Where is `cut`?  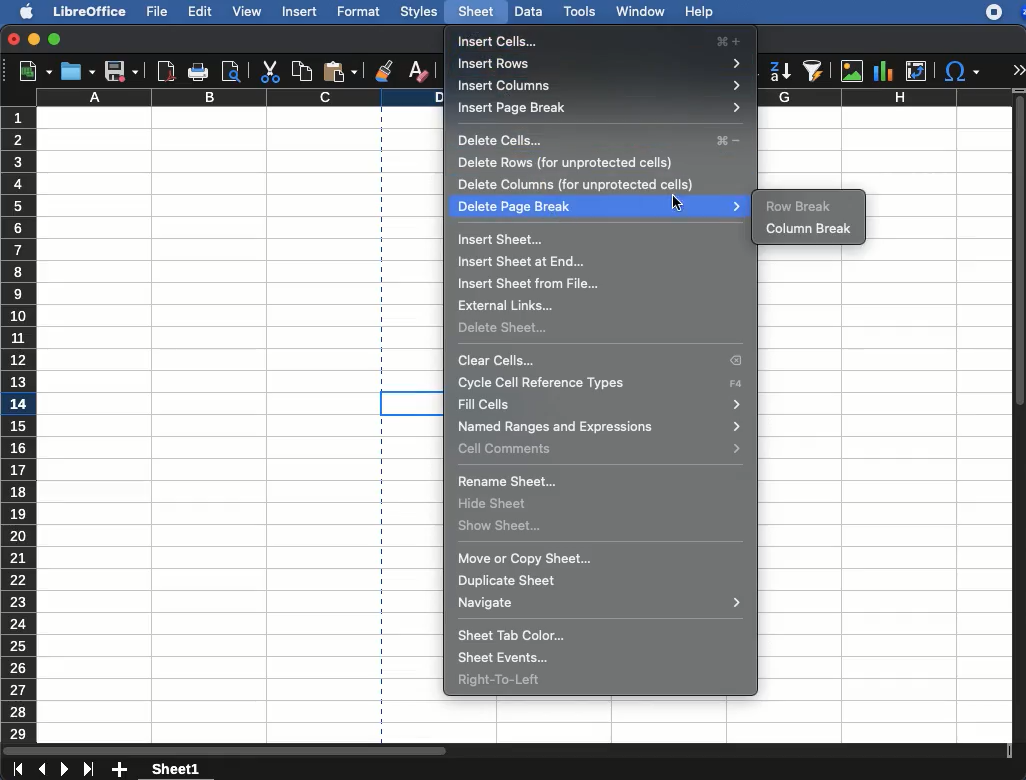 cut is located at coordinates (269, 73).